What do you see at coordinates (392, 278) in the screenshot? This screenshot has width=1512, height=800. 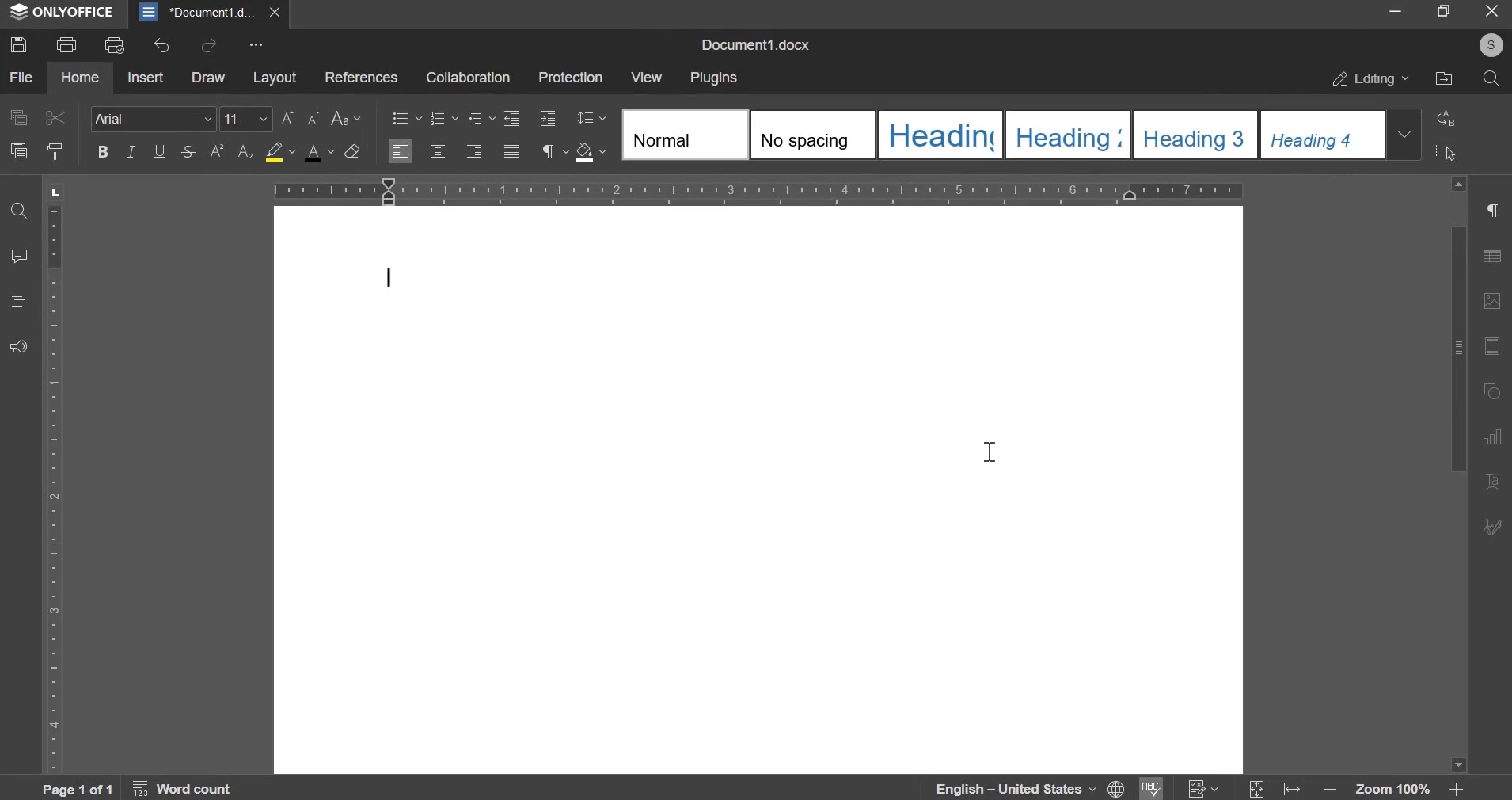 I see `current typing indictor` at bounding box center [392, 278].